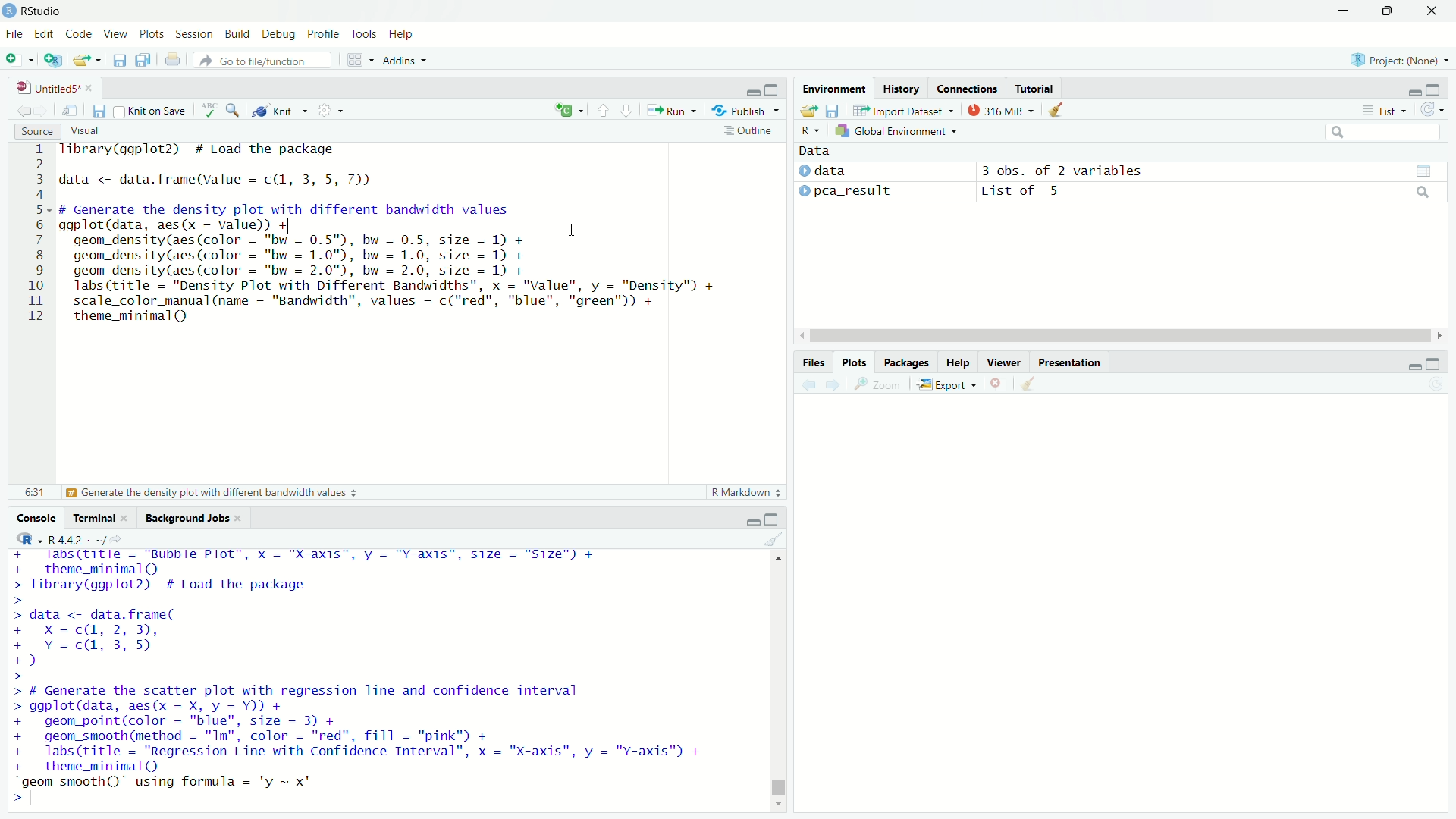 The height and width of the screenshot is (819, 1456). Describe the element at coordinates (98, 60) in the screenshot. I see `Open recent files` at that location.